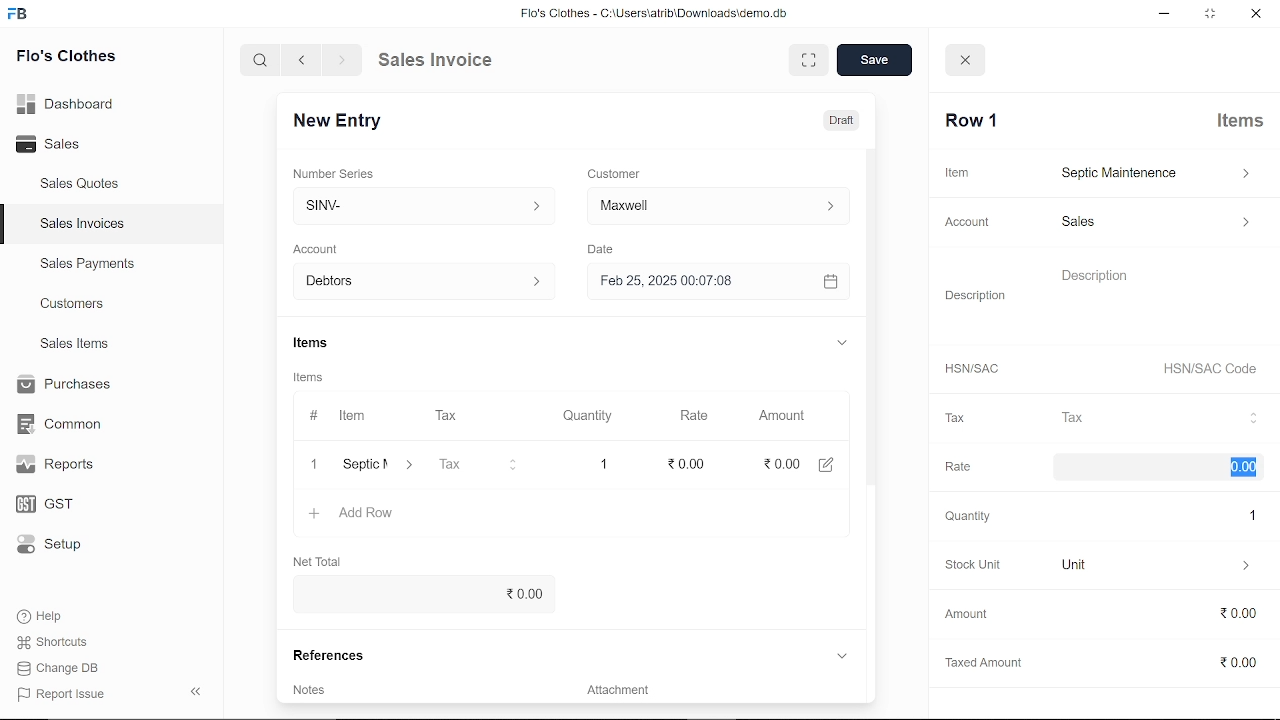 The width and height of the screenshot is (1280, 720). I want to click on HSN/SAC Code, so click(1210, 371).